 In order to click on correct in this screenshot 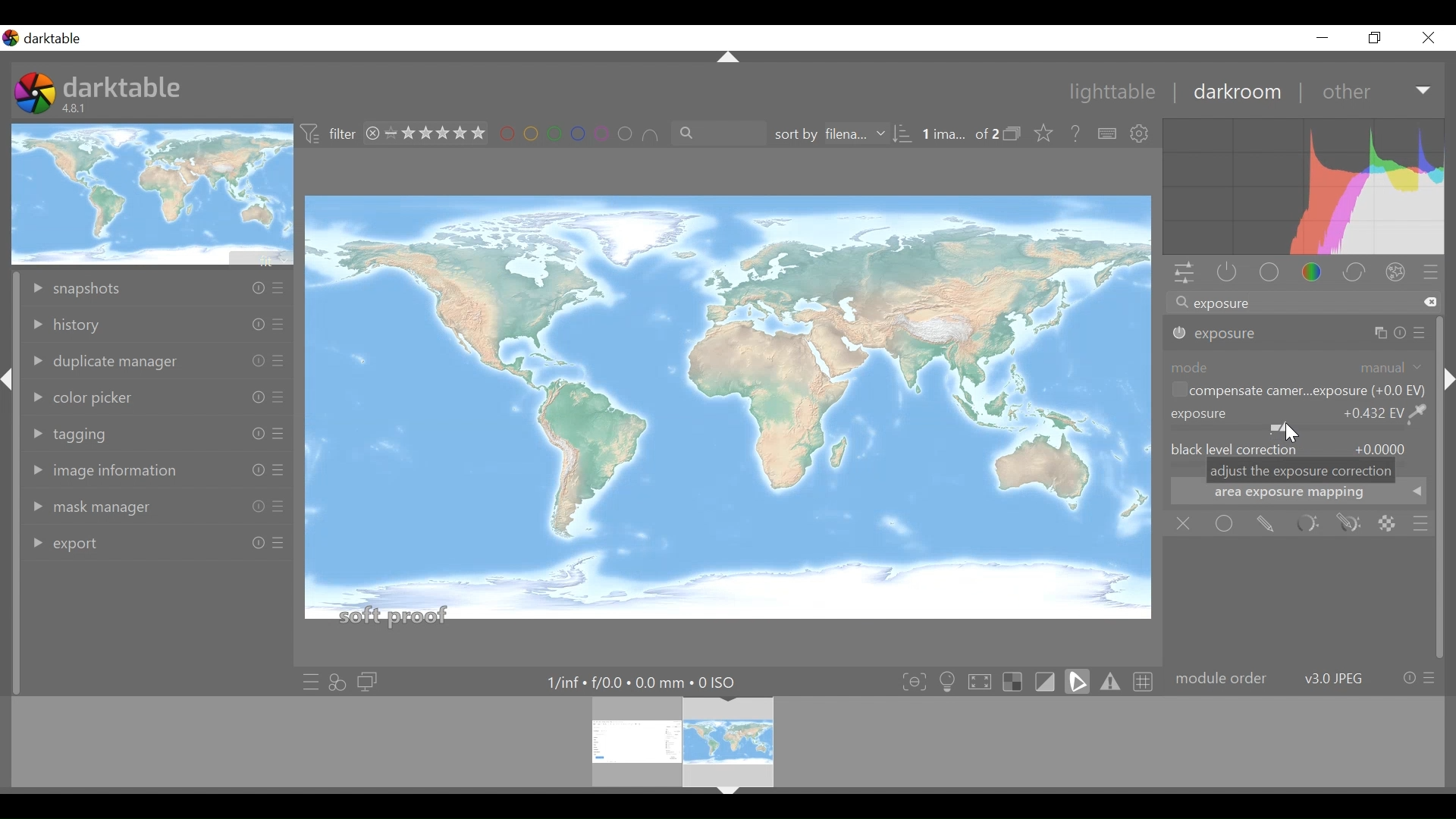, I will do `click(1357, 274)`.